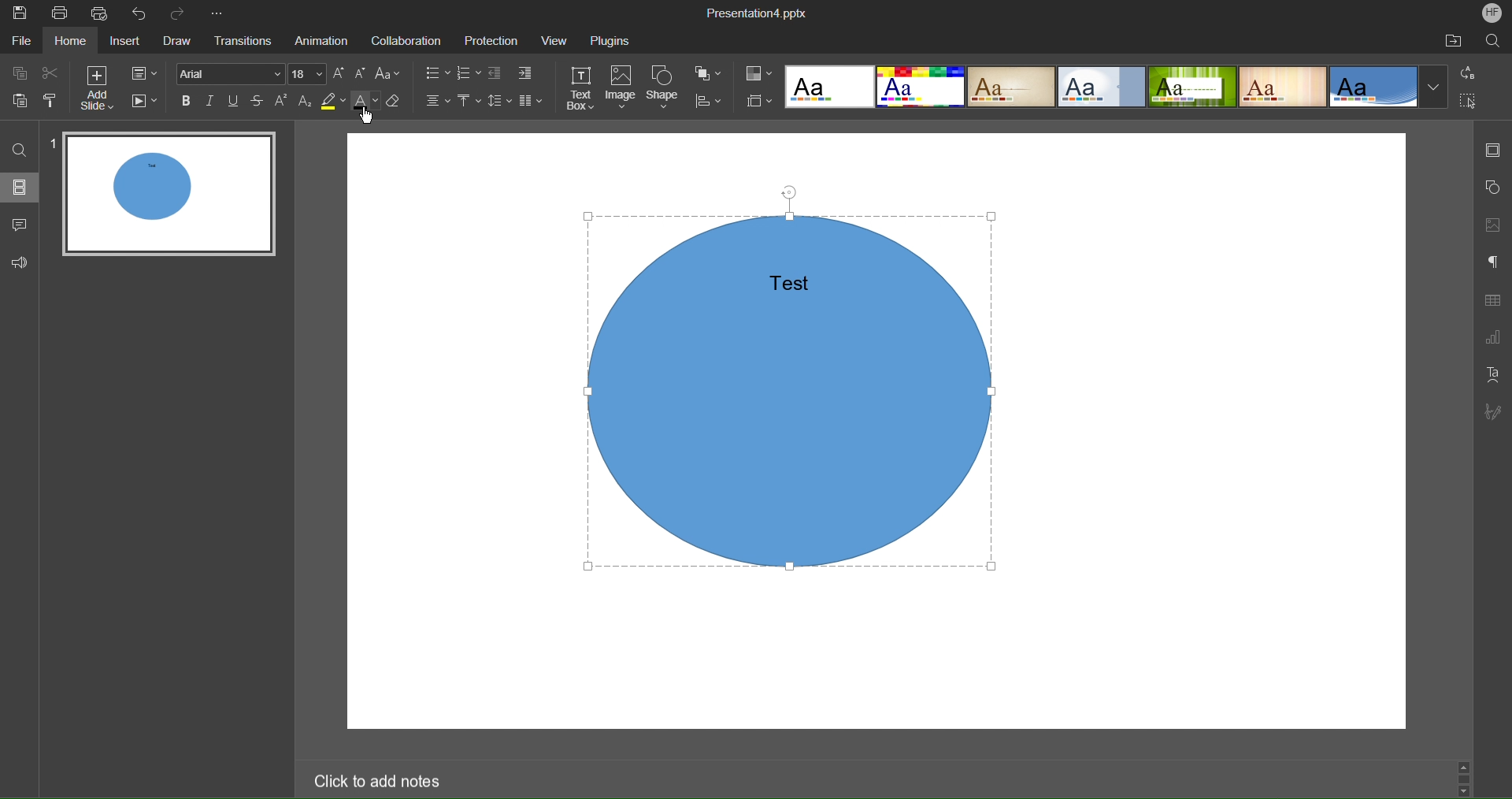 The width and height of the screenshot is (1512, 799). I want to click on Search, so click(1492, 40).